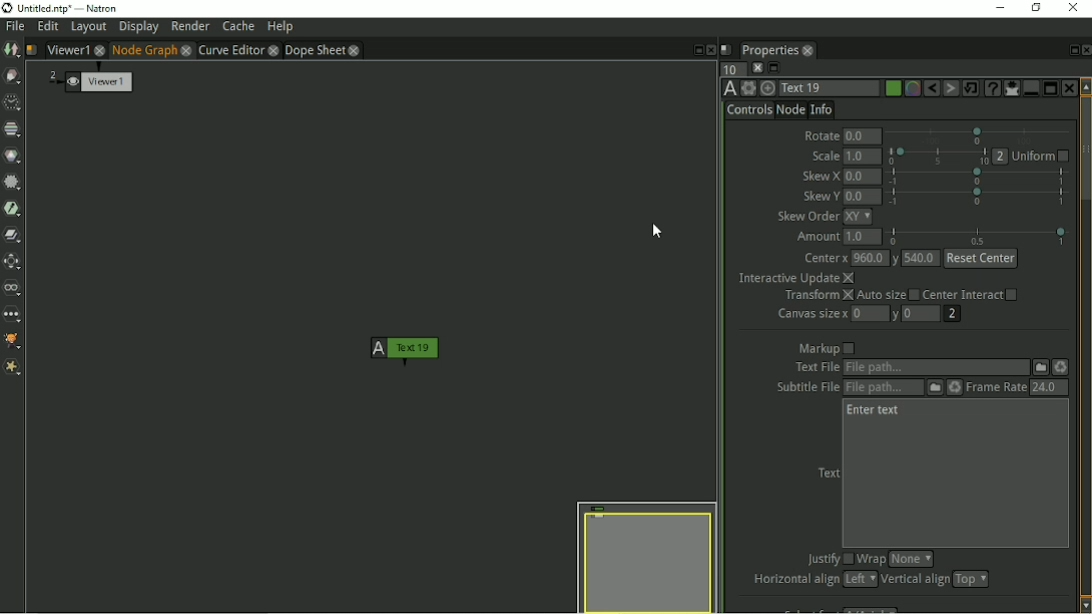 This screenshot has width=1092, height=614. I want to click on Redo, so click(951, 88).